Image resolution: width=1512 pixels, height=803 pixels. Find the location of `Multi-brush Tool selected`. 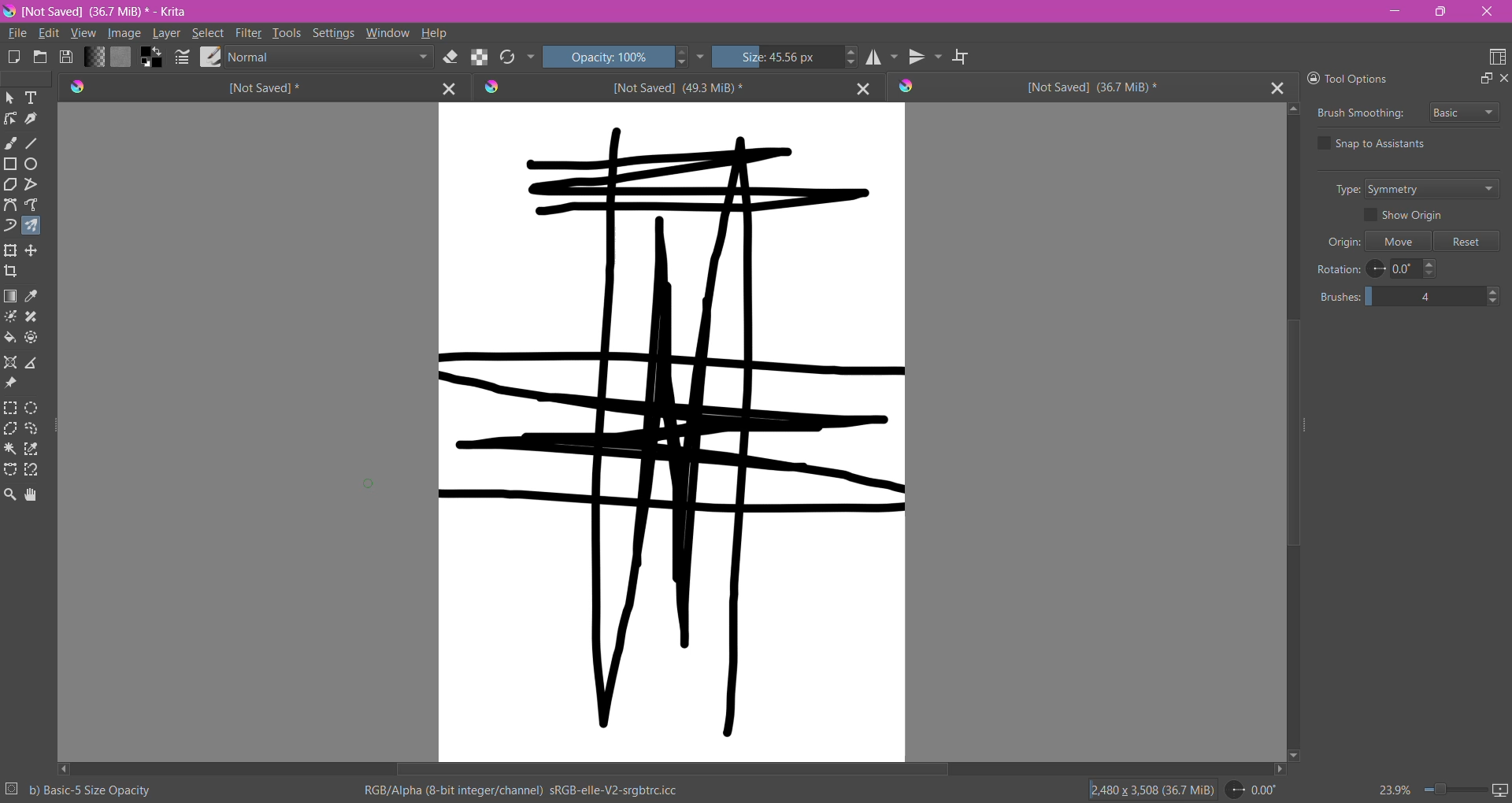

Multi-brush Tool selected is located at coordinates (29, 227).